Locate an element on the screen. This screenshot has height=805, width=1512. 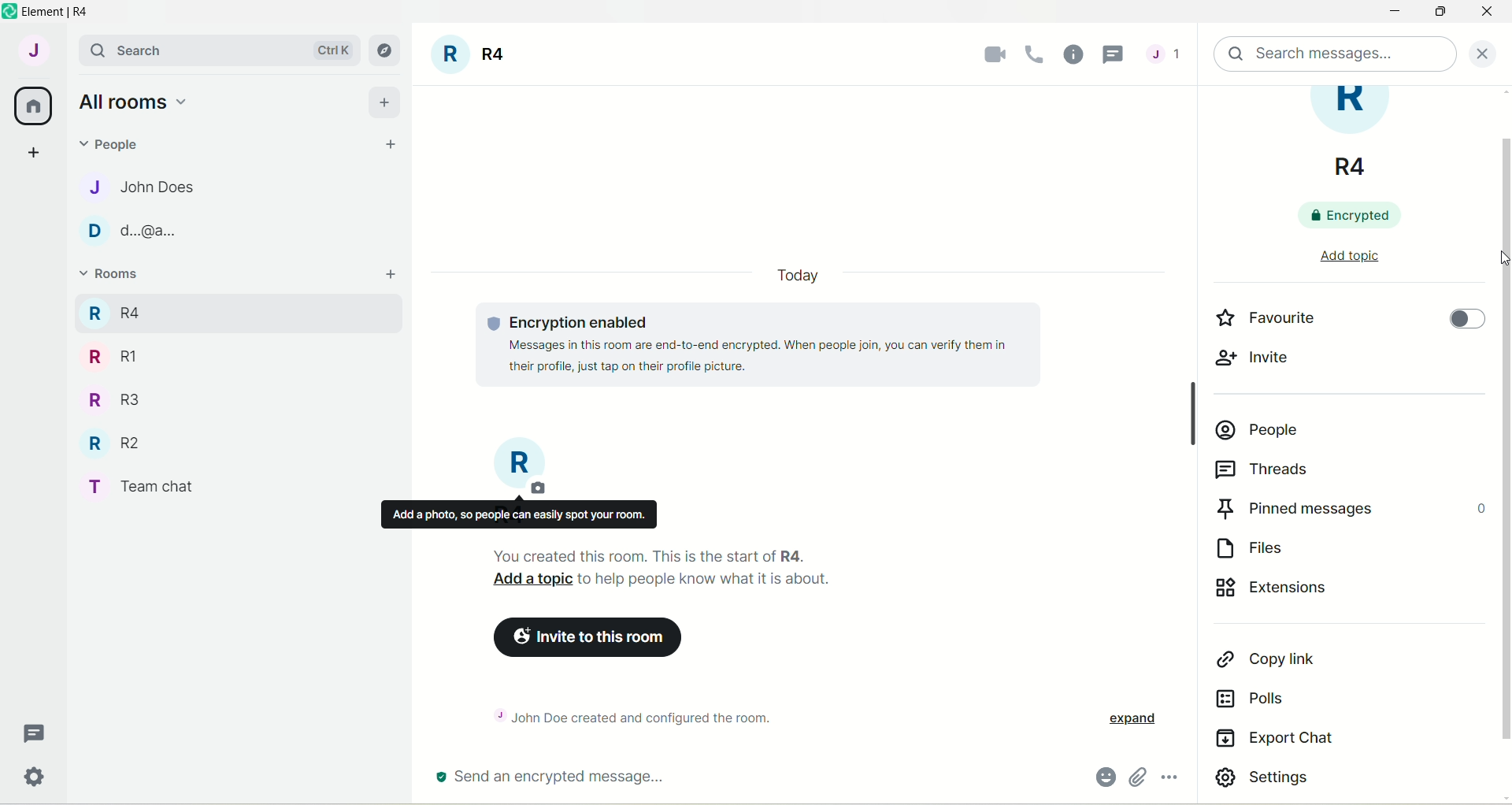
video call is located at coordinates (991, 54).